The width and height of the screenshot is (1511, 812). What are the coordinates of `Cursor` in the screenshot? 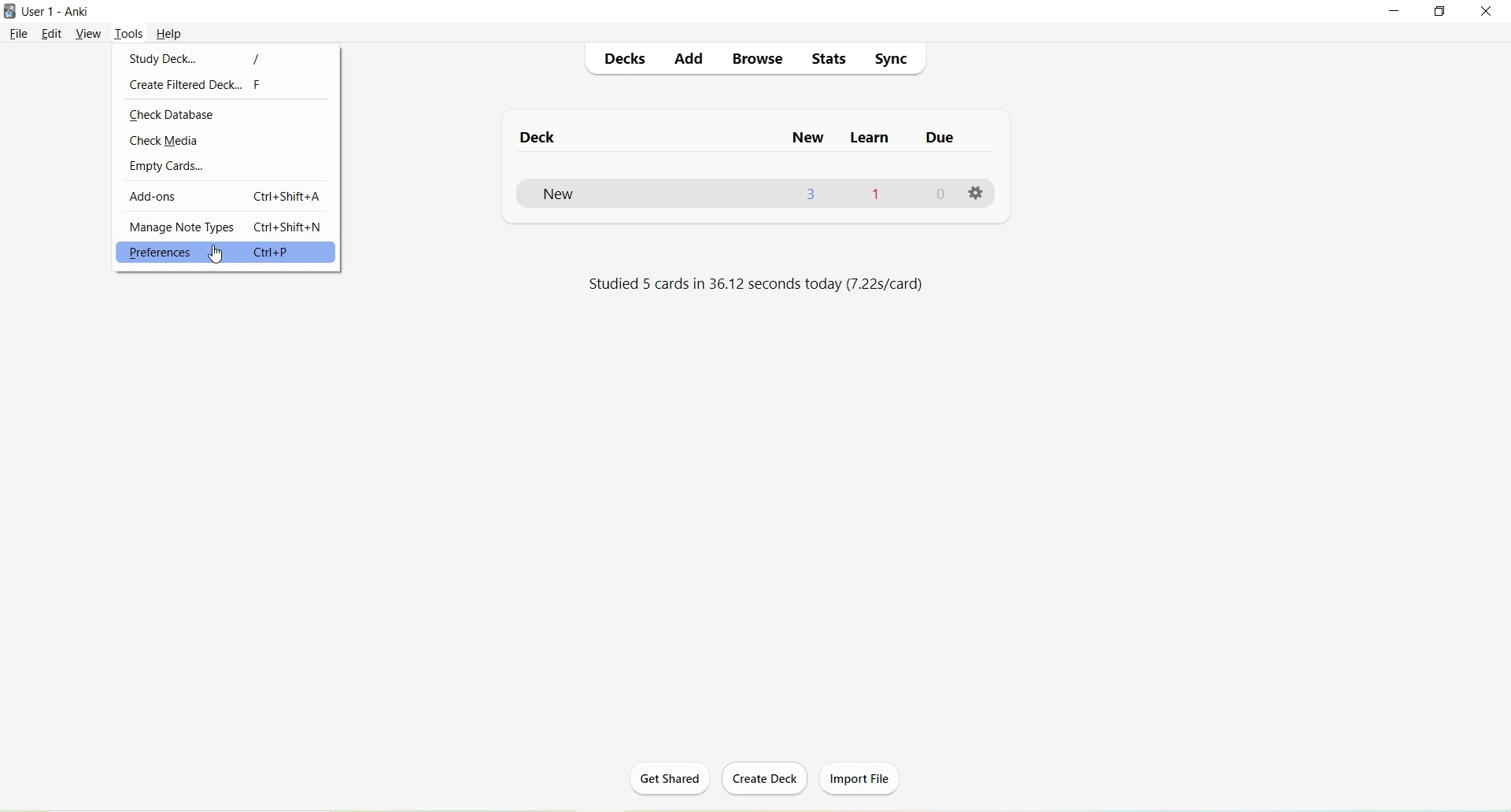 It's located at (222, 254).